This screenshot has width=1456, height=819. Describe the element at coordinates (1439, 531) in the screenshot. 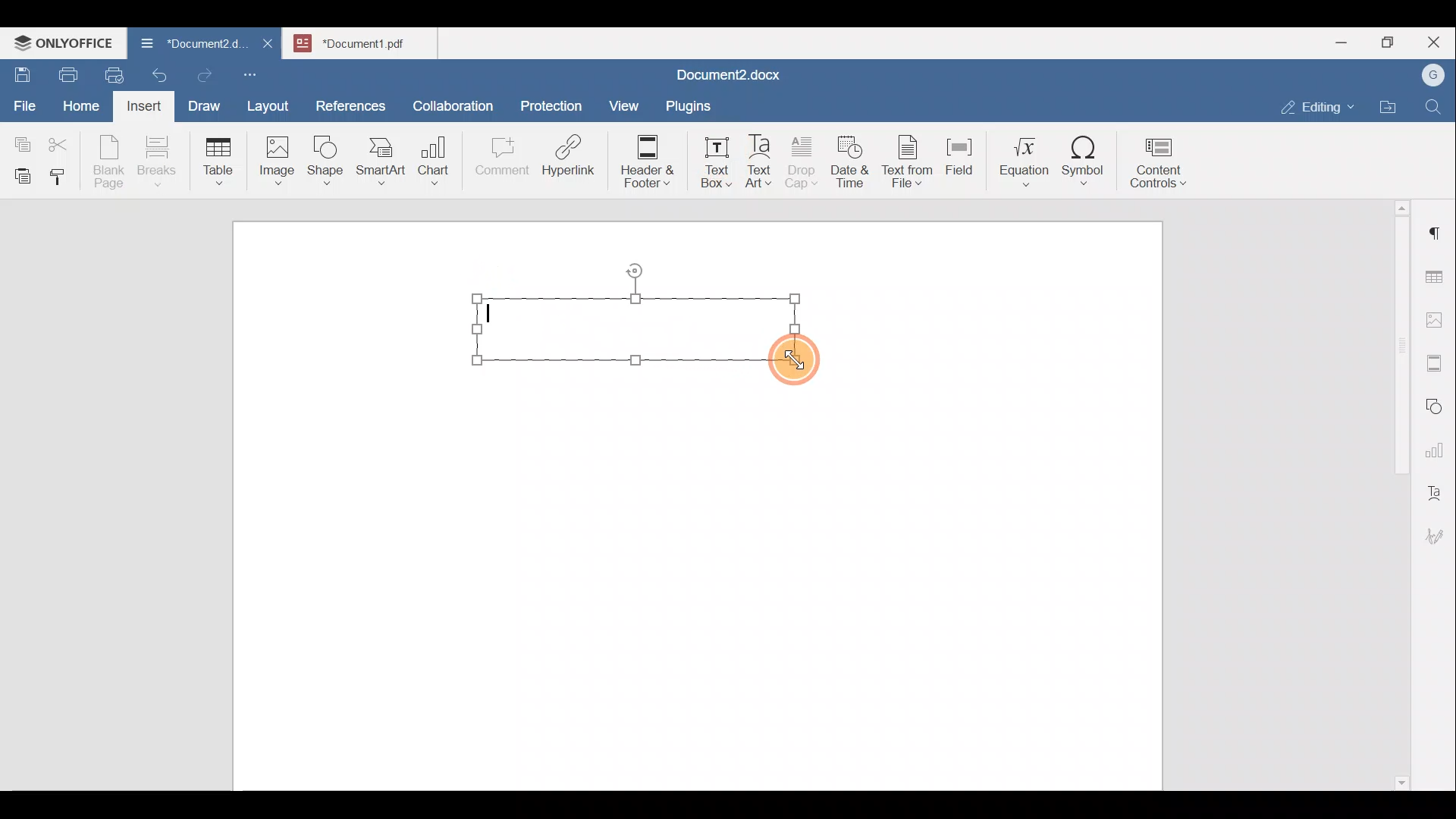

I see `Signature settings` at that location.